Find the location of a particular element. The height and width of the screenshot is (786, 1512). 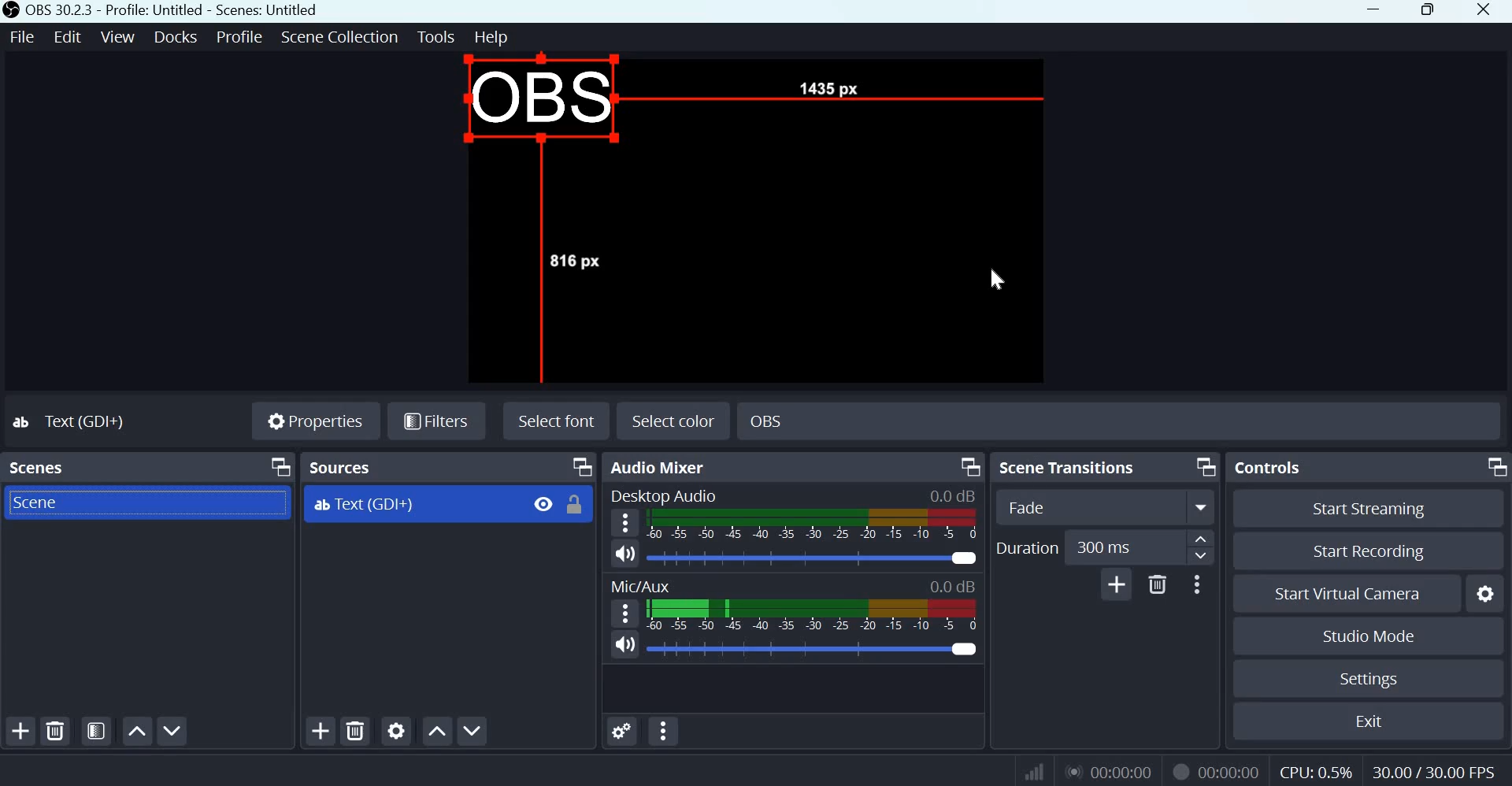

Studio mode is located at coordinates (1369, 637).